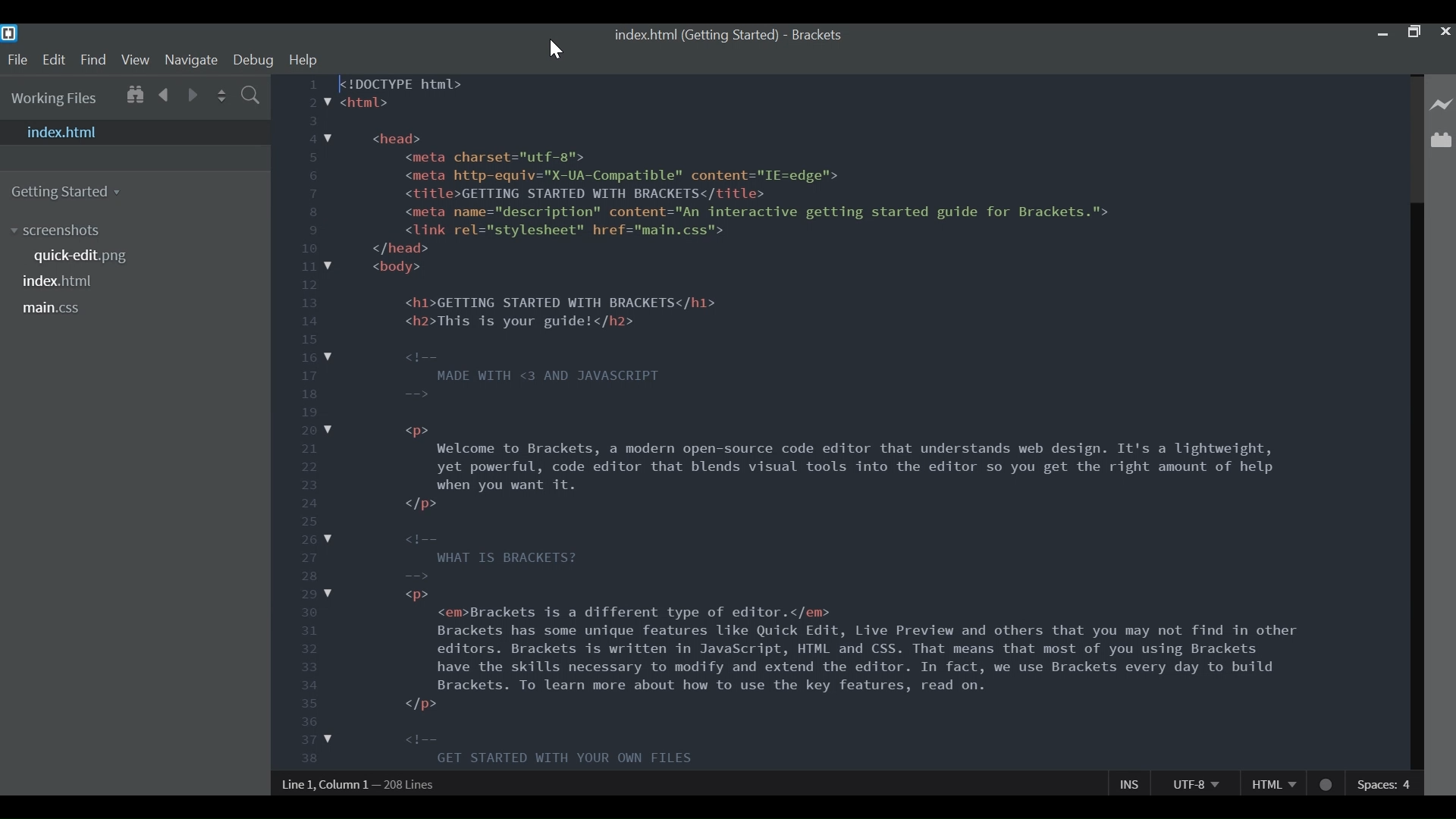 The image size is (1456, 819). I want to click on INS, so click(1129, 783).